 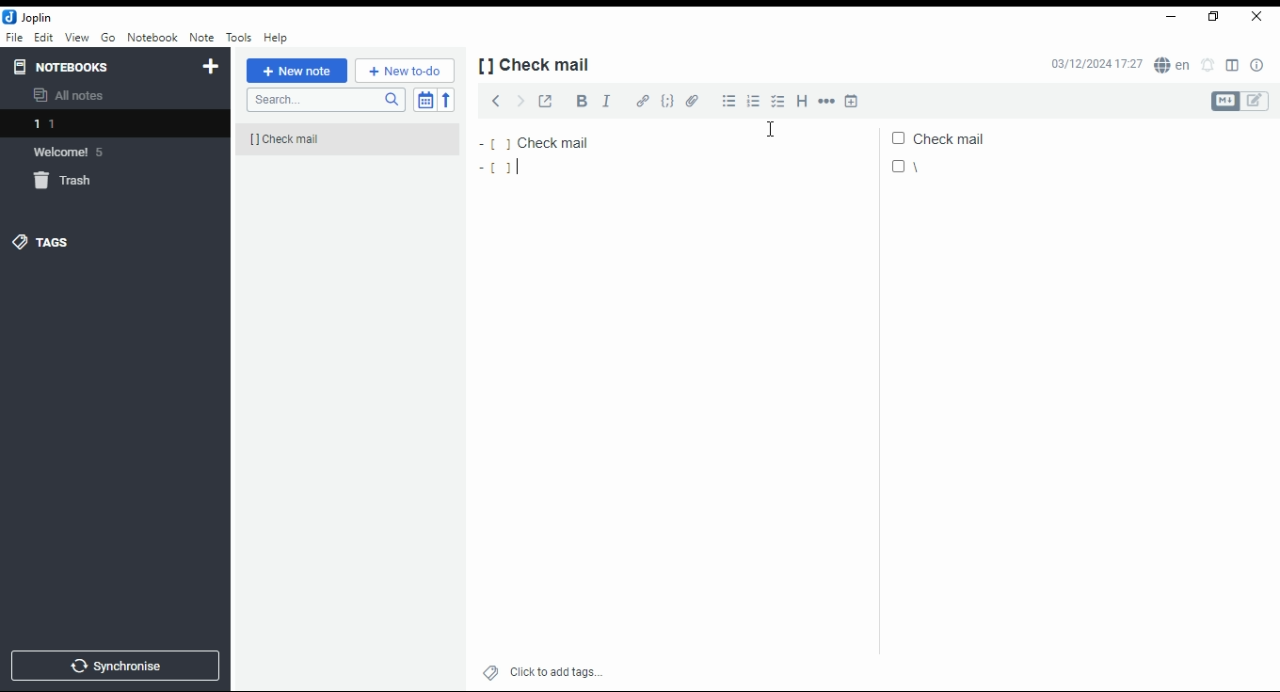 I want to click on new notebook, so click(x=212, y=67).